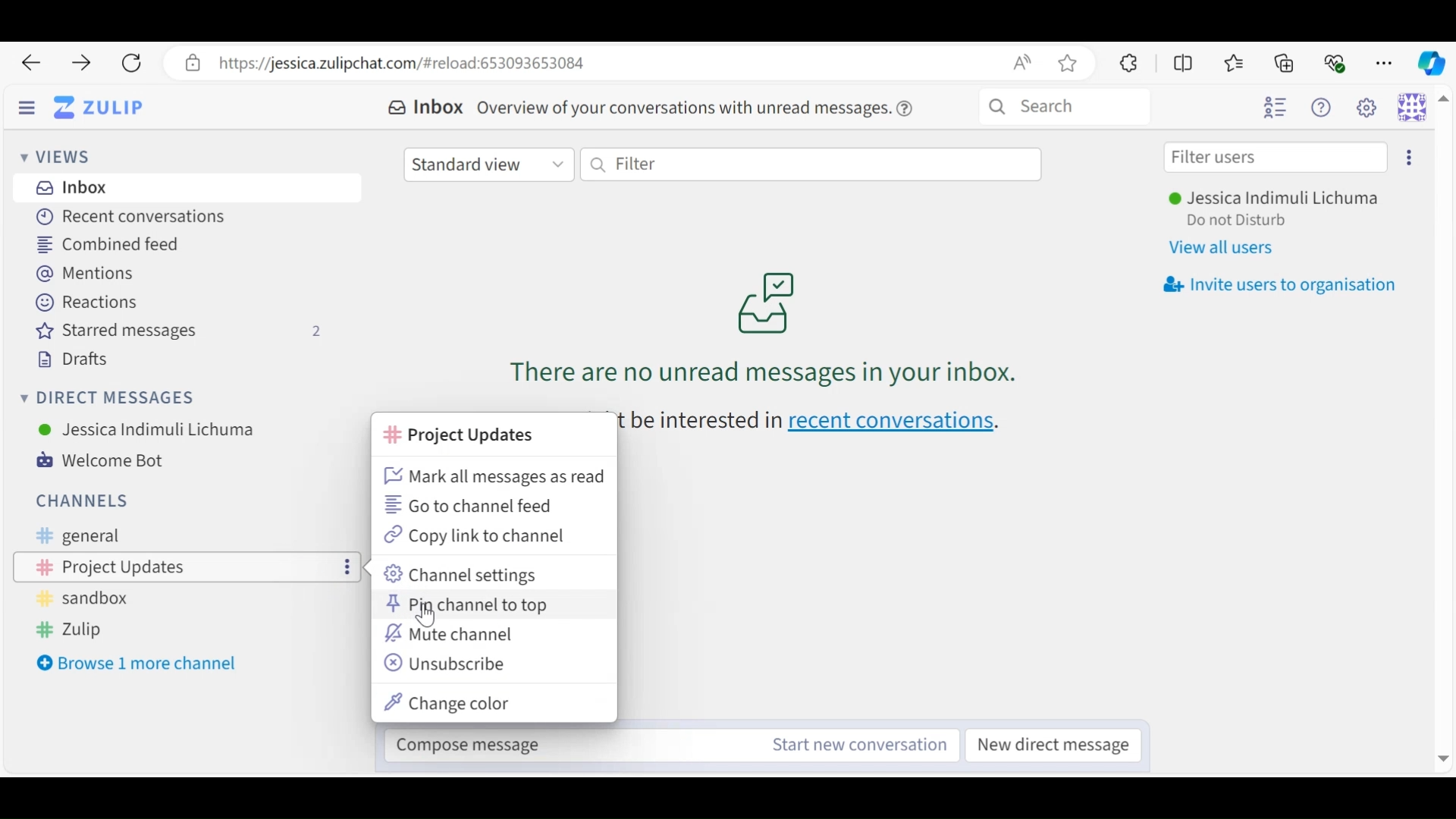 Image resolution: width=1456 pixels, height=819 pixels. I want to click on Split Screen, so click(1185, 63).